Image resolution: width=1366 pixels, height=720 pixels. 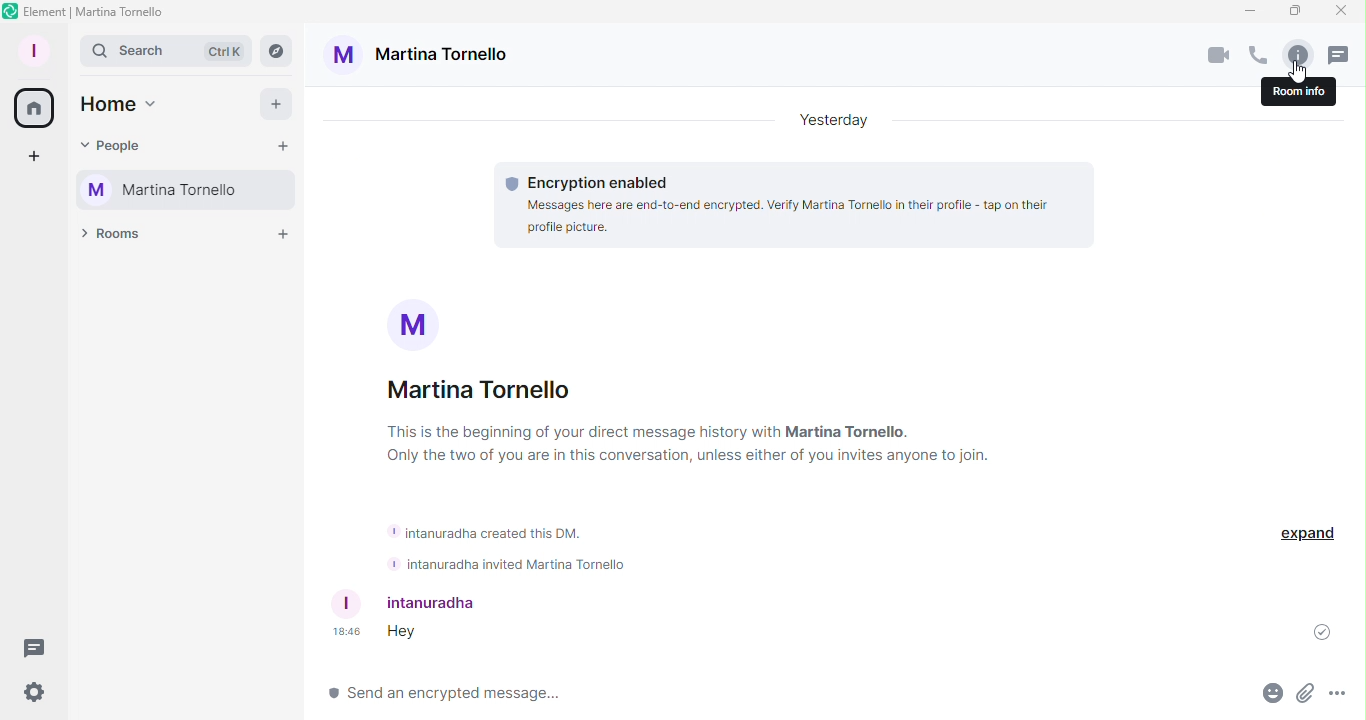 What do you see at coordinates (506, 564) in the screenshot?
I see ` intanuradha invited martina tornello` at bounding box center [506, 564].